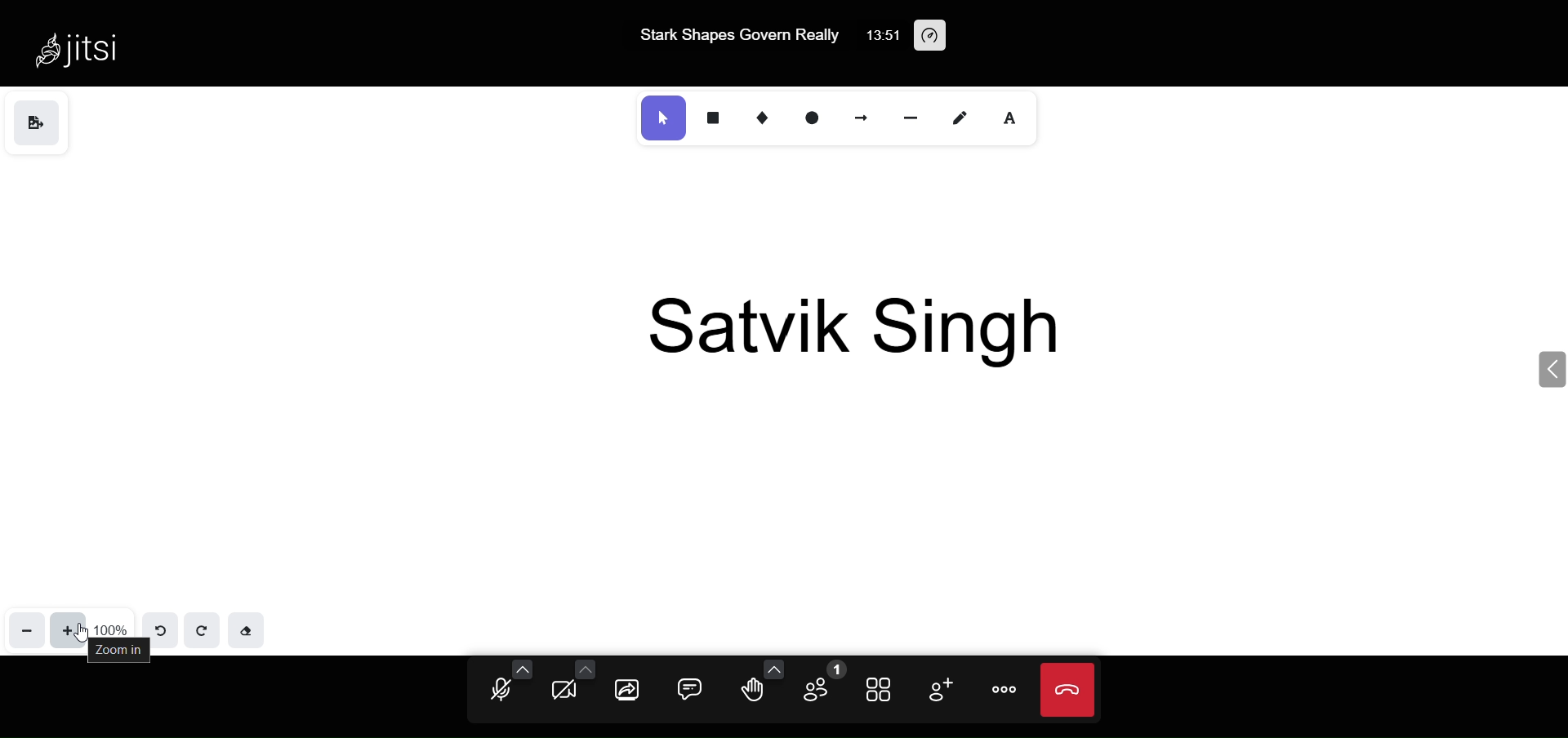  Describe the element at coordinates (754, 692) in the screenshot. I see `raise hand` at that location.